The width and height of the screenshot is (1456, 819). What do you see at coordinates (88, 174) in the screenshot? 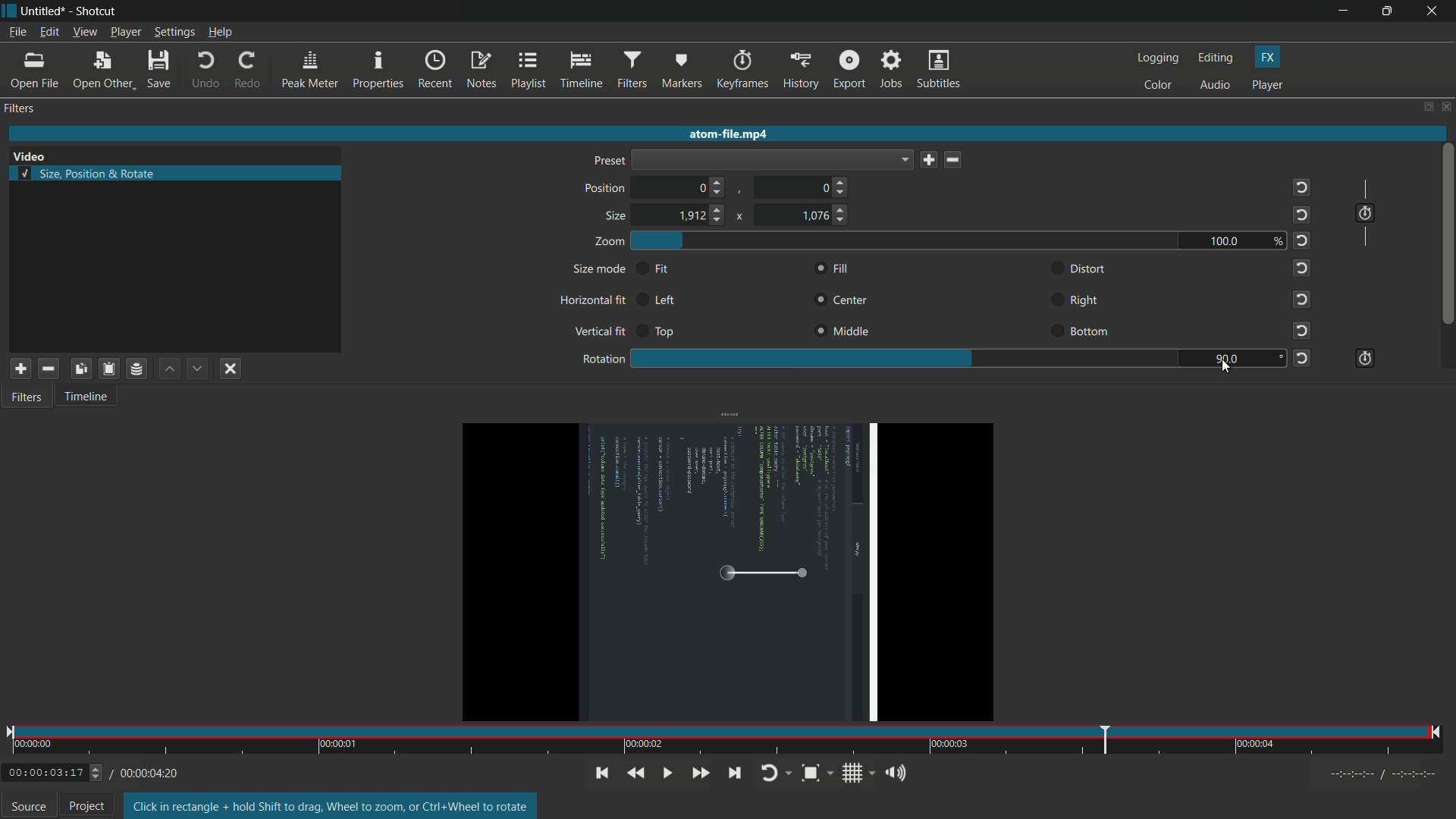
I see `size, position and rotate` at bounding box center [88, 174].